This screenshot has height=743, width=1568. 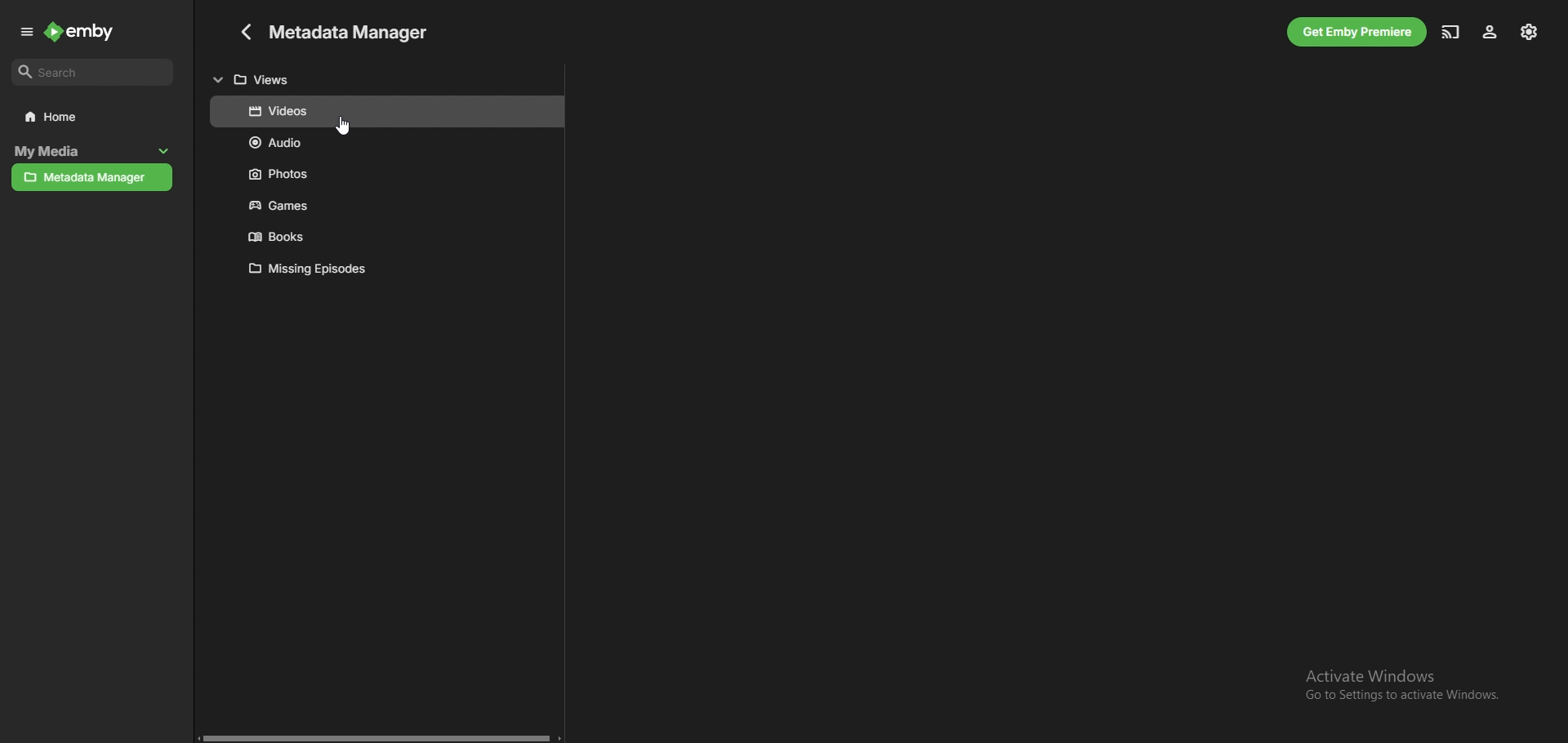 What do you see at coordinates (92, 178) in the screenshot?
I see `metadata manager` at bounding box center [92, 178].